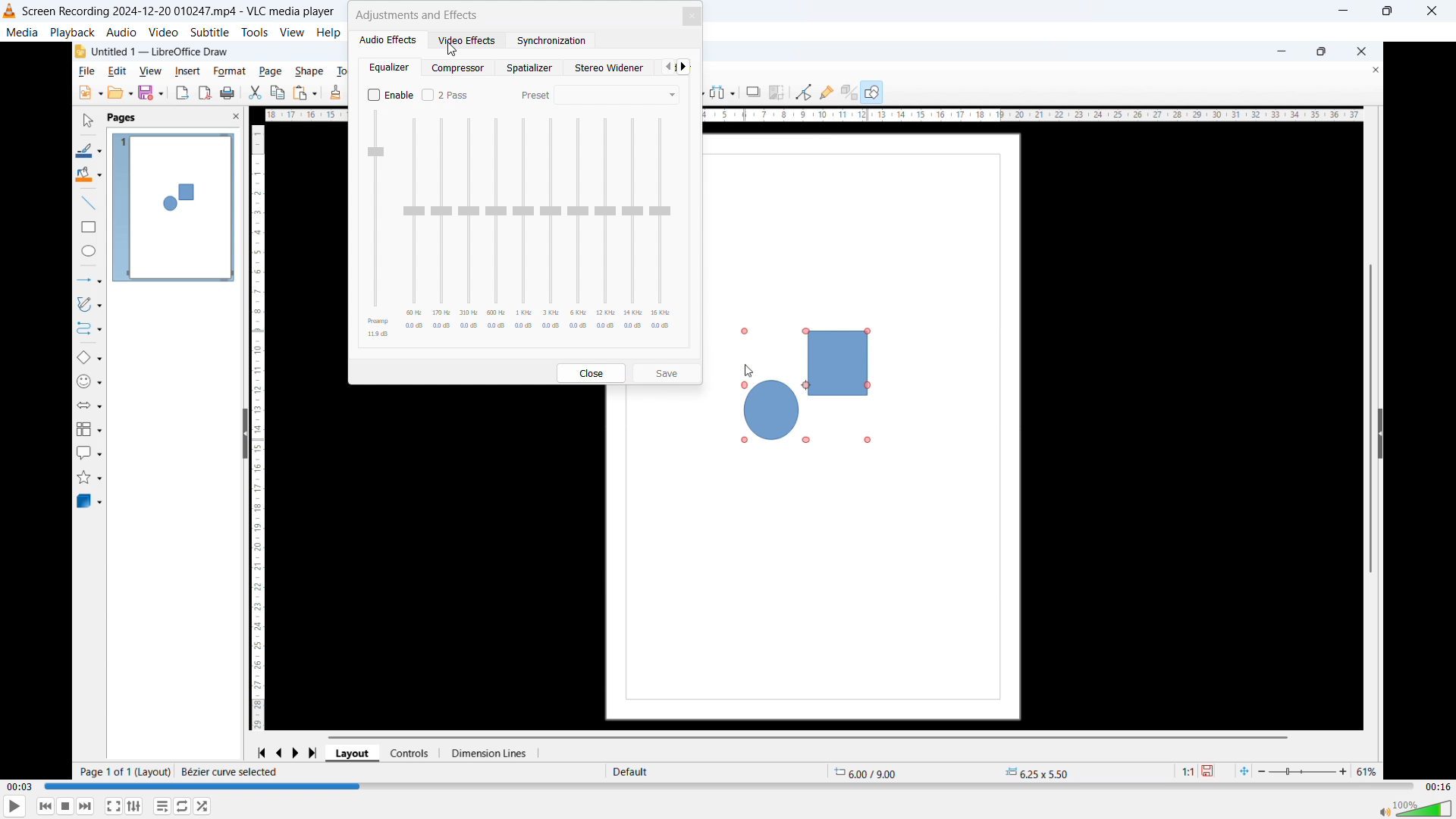  I want to click on random, so click(204, 806).